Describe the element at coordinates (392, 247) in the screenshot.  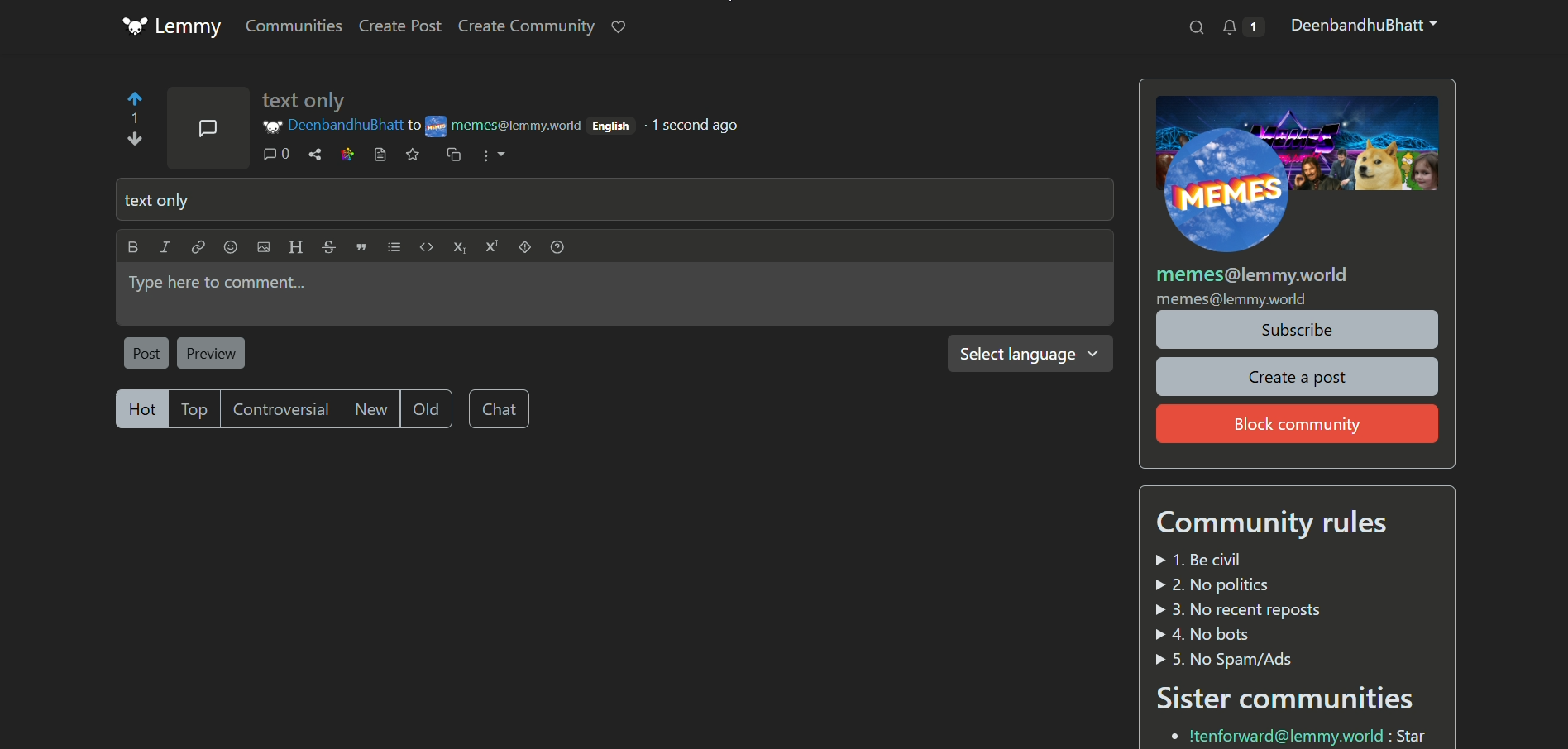
I see `script` at that location.